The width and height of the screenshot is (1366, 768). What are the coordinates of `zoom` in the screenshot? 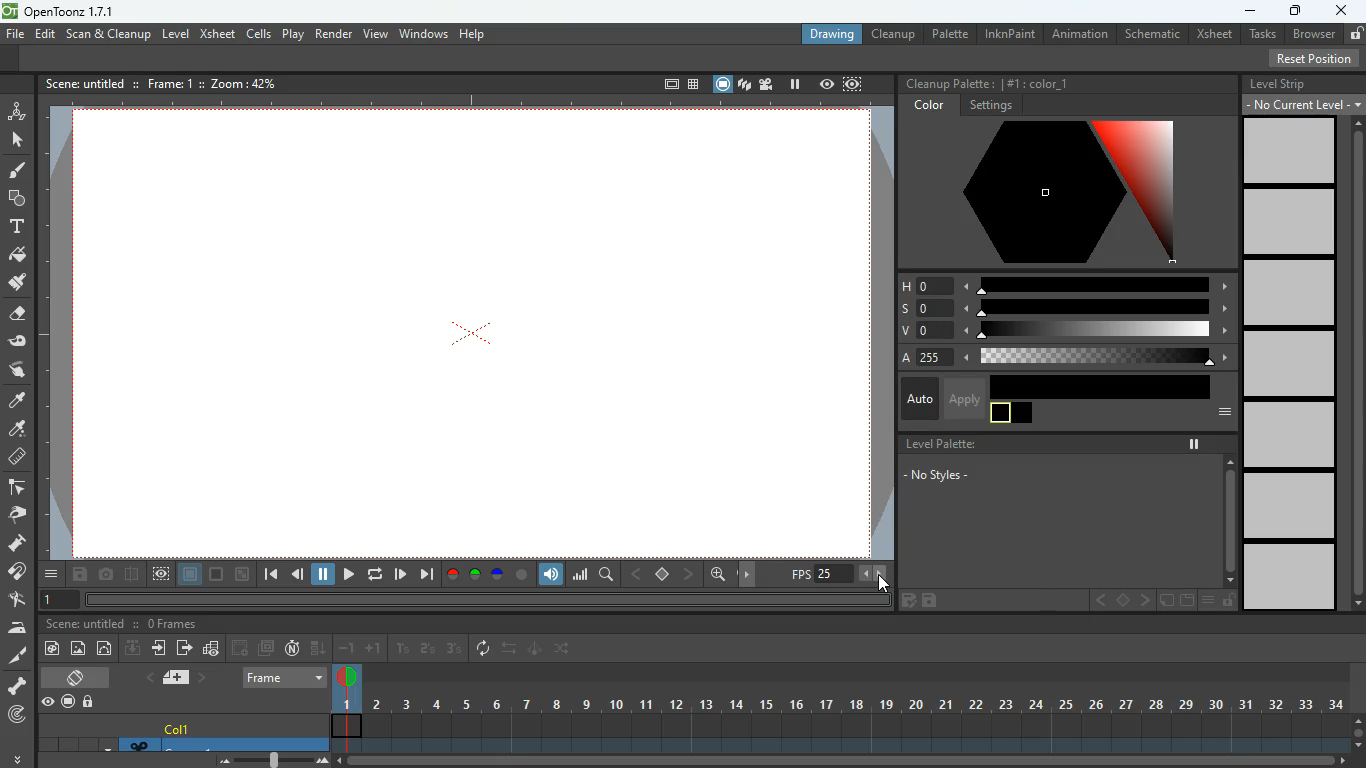 It's located at (246, 83).